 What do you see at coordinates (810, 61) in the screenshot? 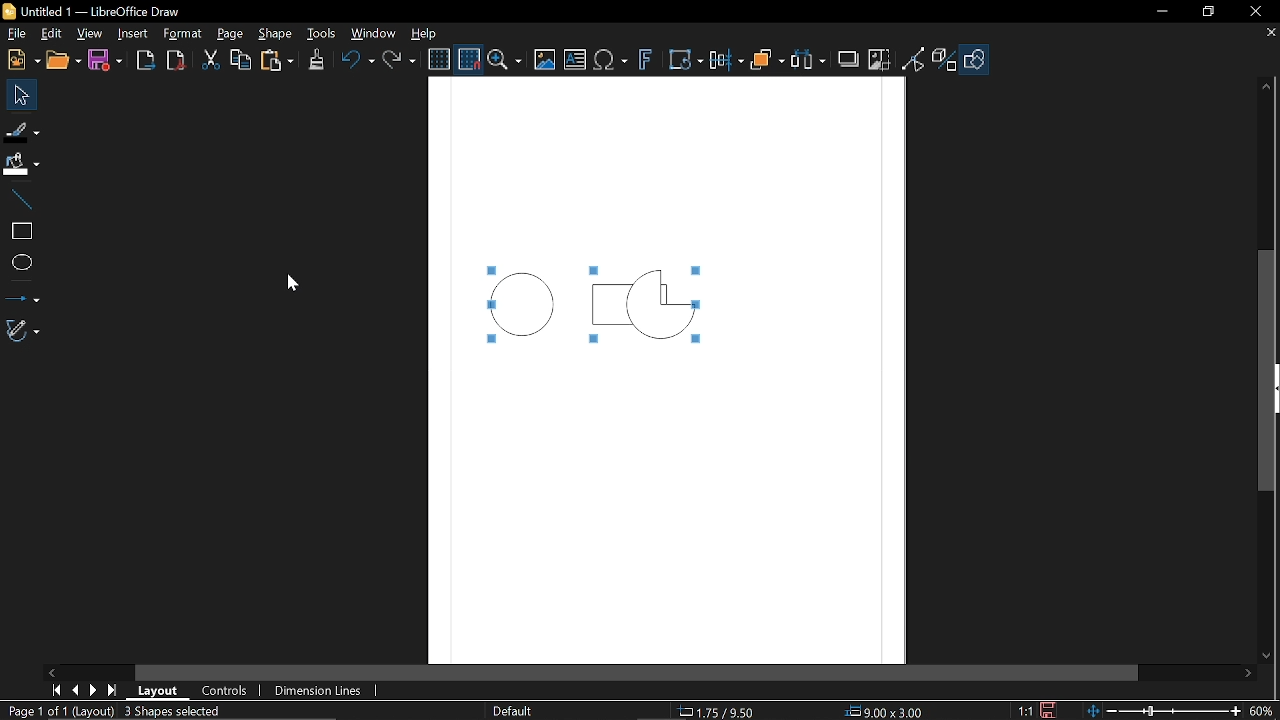
I see `Select at least three objects to distribute` at bounding box center [810, 61].